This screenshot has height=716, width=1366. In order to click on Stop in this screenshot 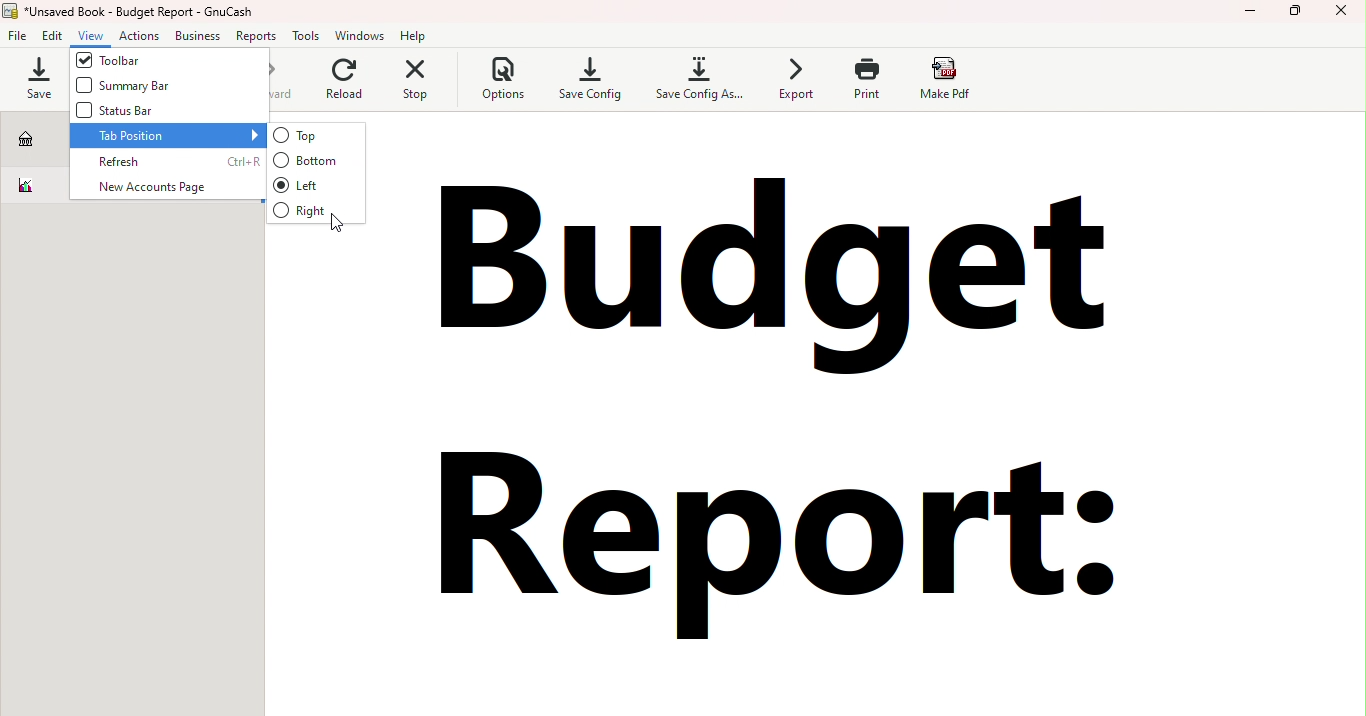, I will do `click(429, 86)`.